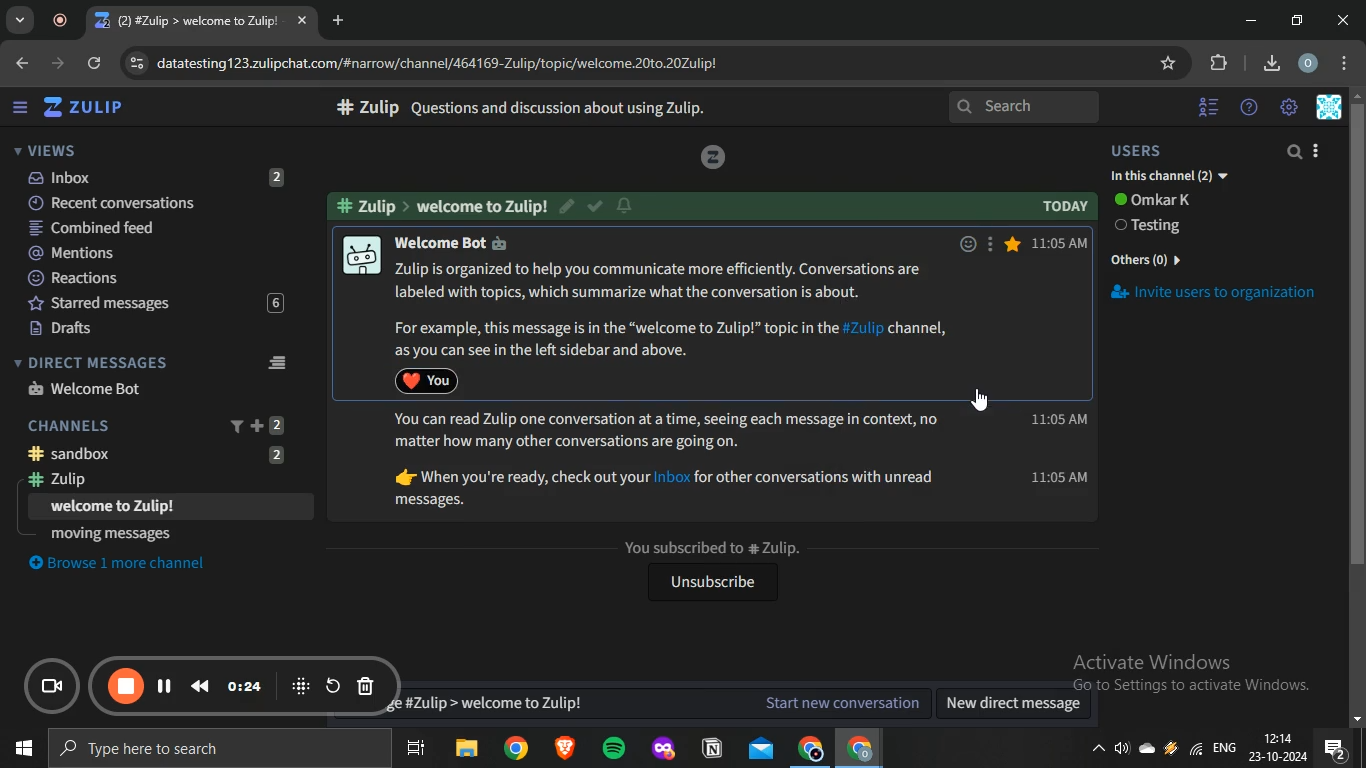 The width and height of the screenshot is (1366, 768). Describe the element at coordinates (246, 686) in the screenshot. I see `timeline` at that location.